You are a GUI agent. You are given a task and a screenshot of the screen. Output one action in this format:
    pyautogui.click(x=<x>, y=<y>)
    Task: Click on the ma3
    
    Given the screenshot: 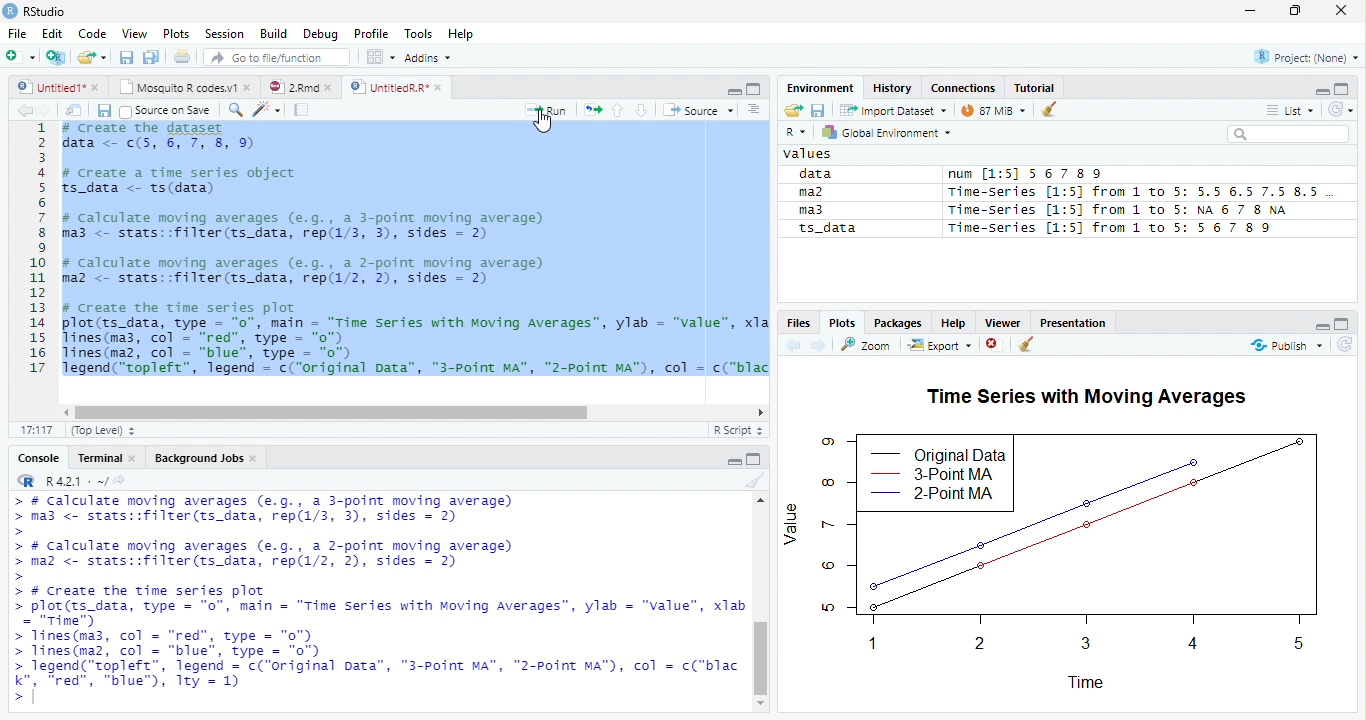 What is the action you would take?
    pyautogui.click(x=820, y=209)
    